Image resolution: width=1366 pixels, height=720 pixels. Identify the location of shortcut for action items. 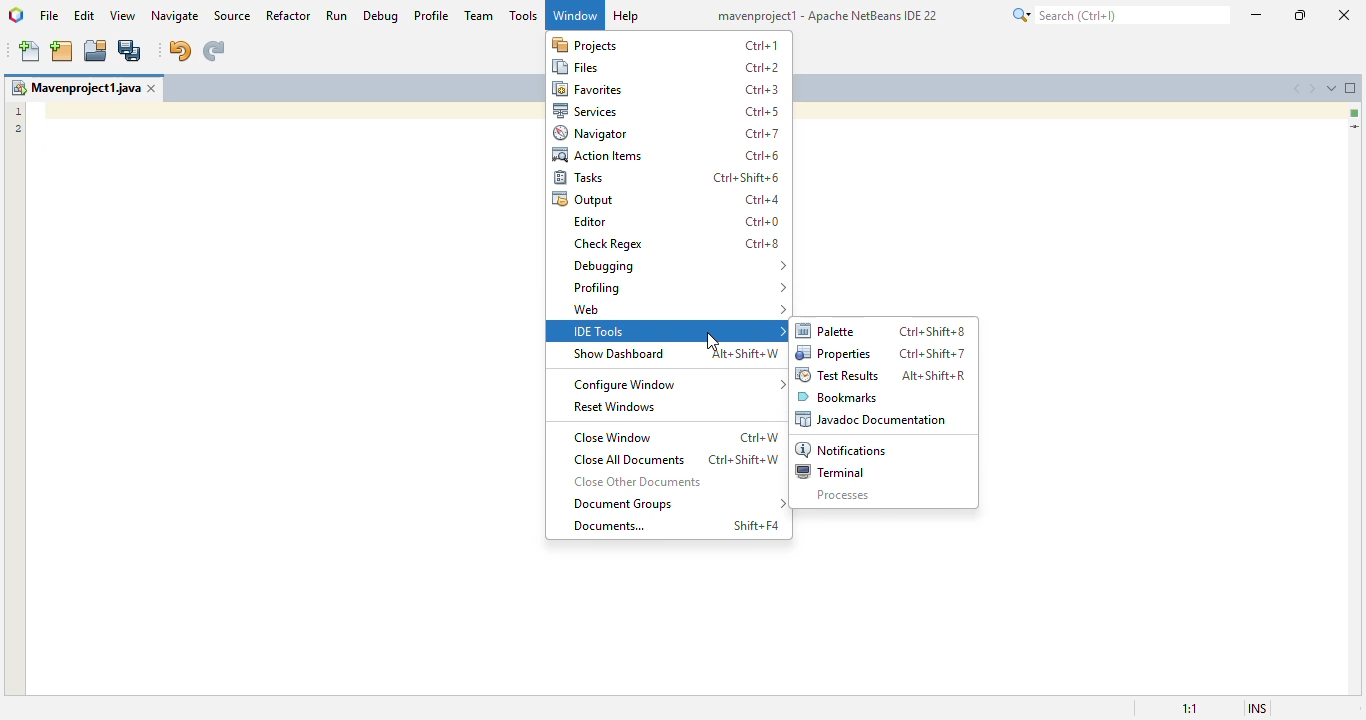
(762, 155).